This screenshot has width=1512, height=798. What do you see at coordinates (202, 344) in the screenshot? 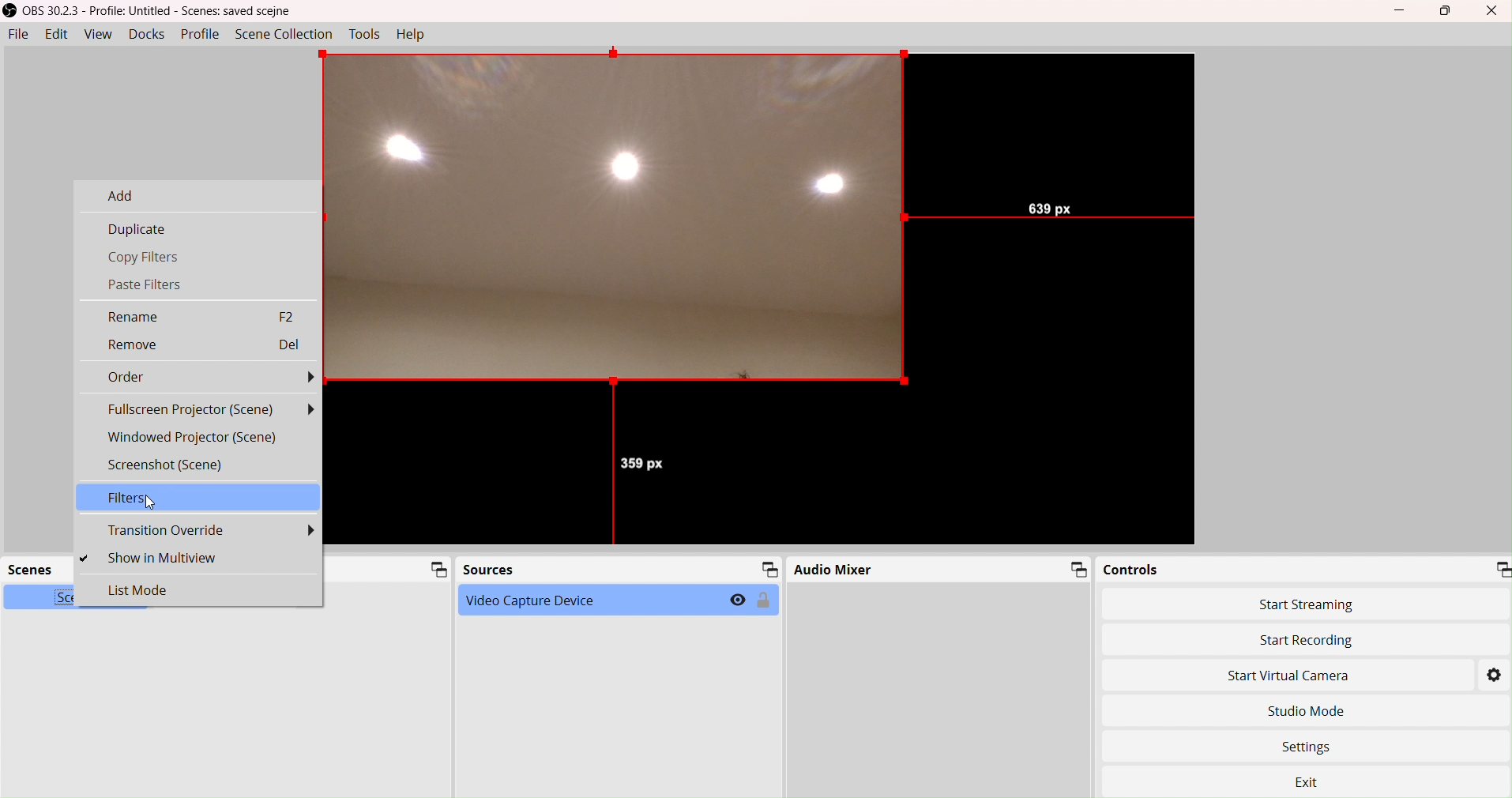
I see `Remove` at bounding box center [202, 344].